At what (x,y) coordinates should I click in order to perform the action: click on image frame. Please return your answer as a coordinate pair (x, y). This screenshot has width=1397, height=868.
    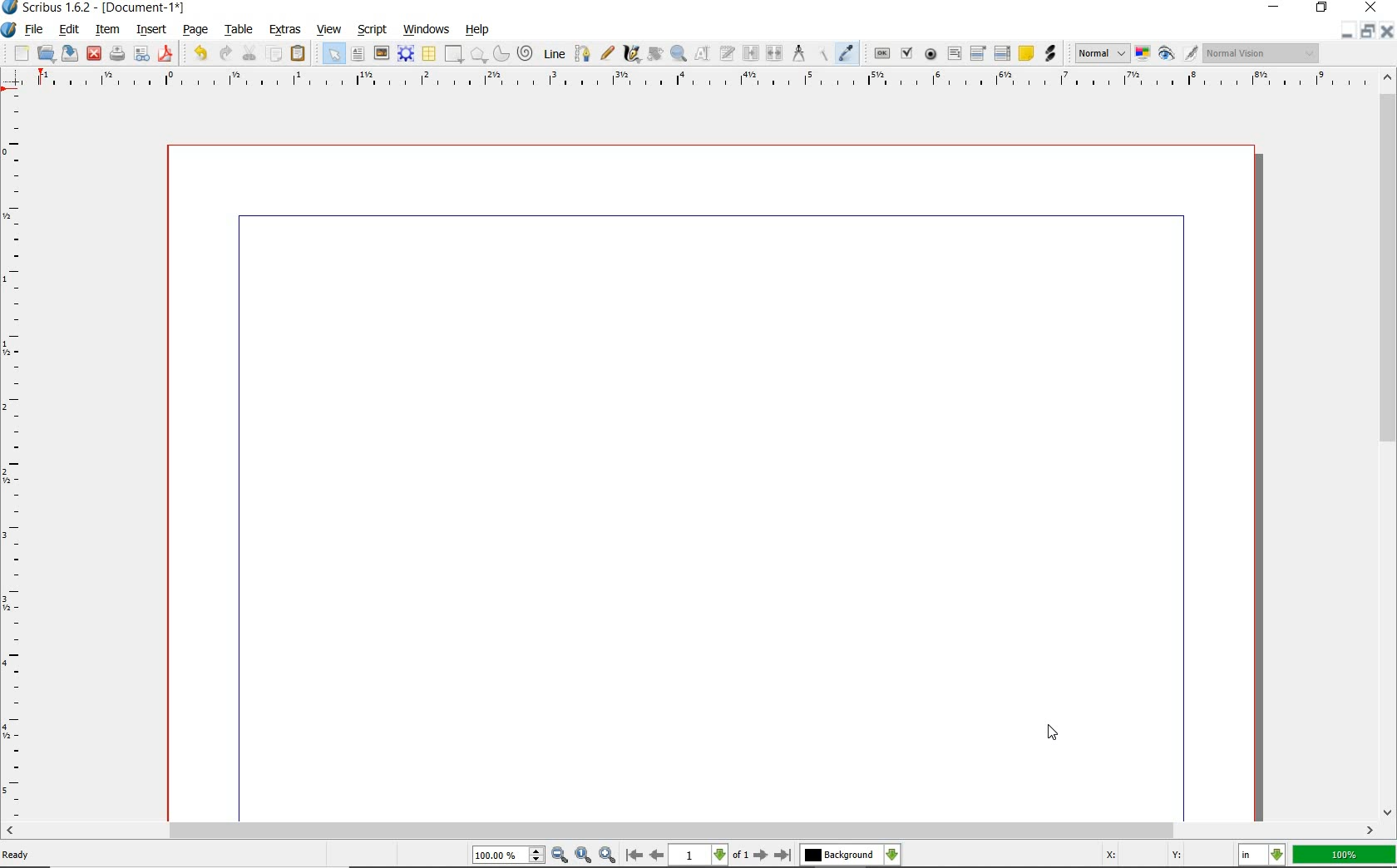
    Looking at the image, I should click on (382, 55).